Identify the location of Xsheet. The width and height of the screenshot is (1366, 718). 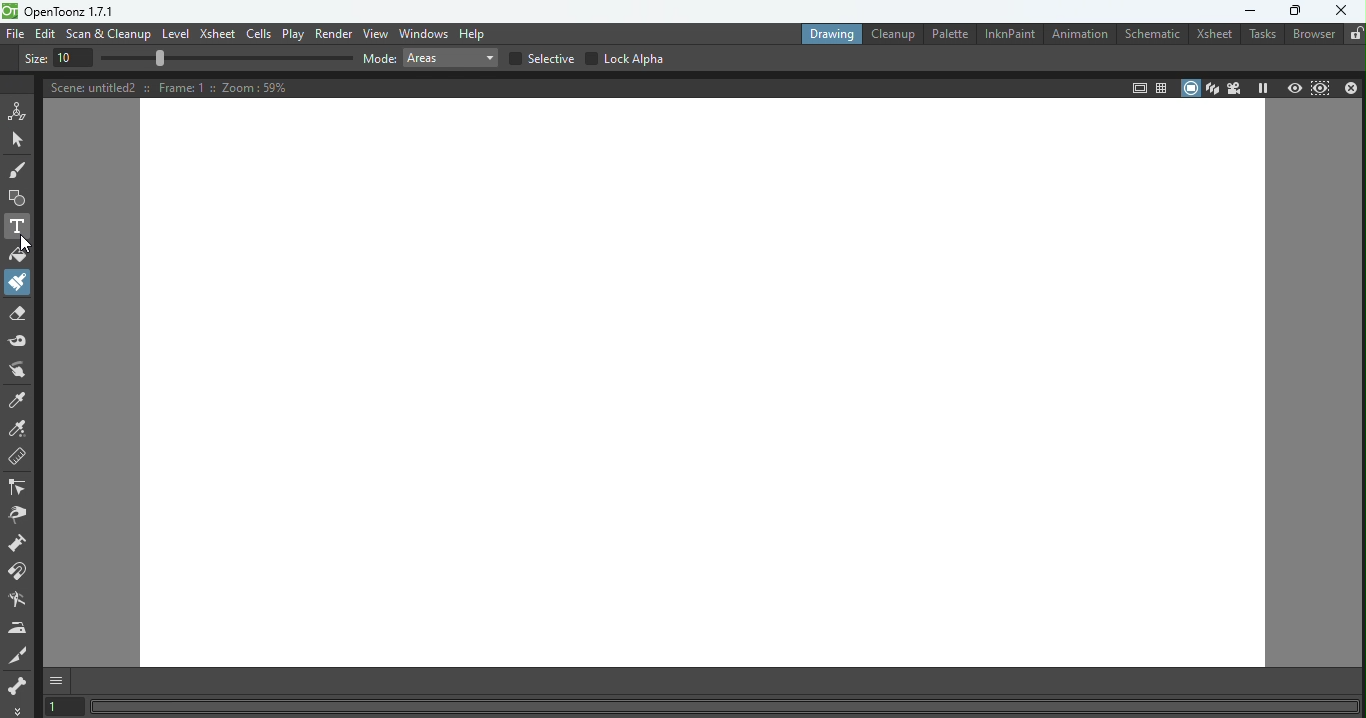
(1213, 36).